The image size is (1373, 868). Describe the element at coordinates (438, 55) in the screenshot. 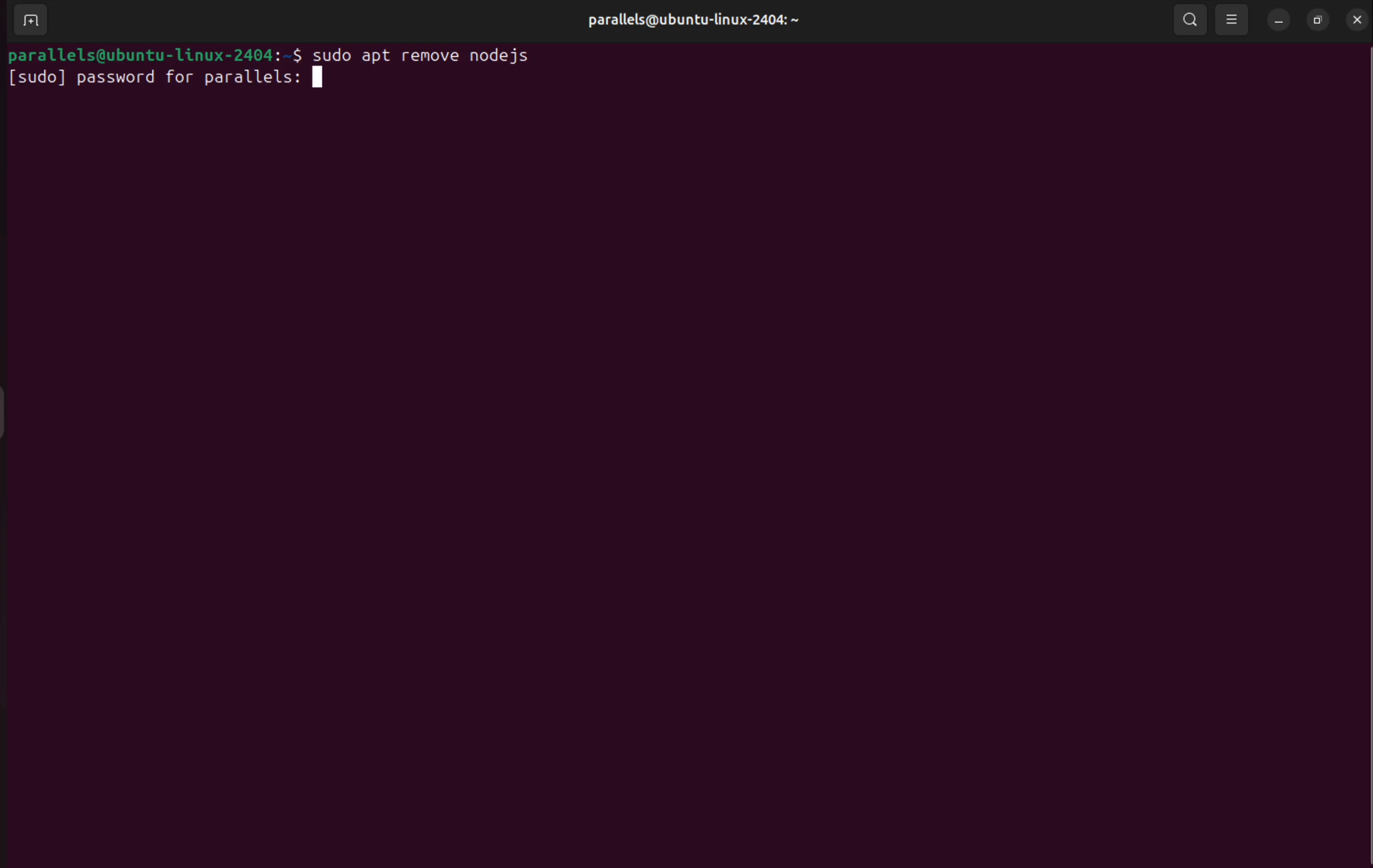

I see `sudo apt remove nodejs` at that location.